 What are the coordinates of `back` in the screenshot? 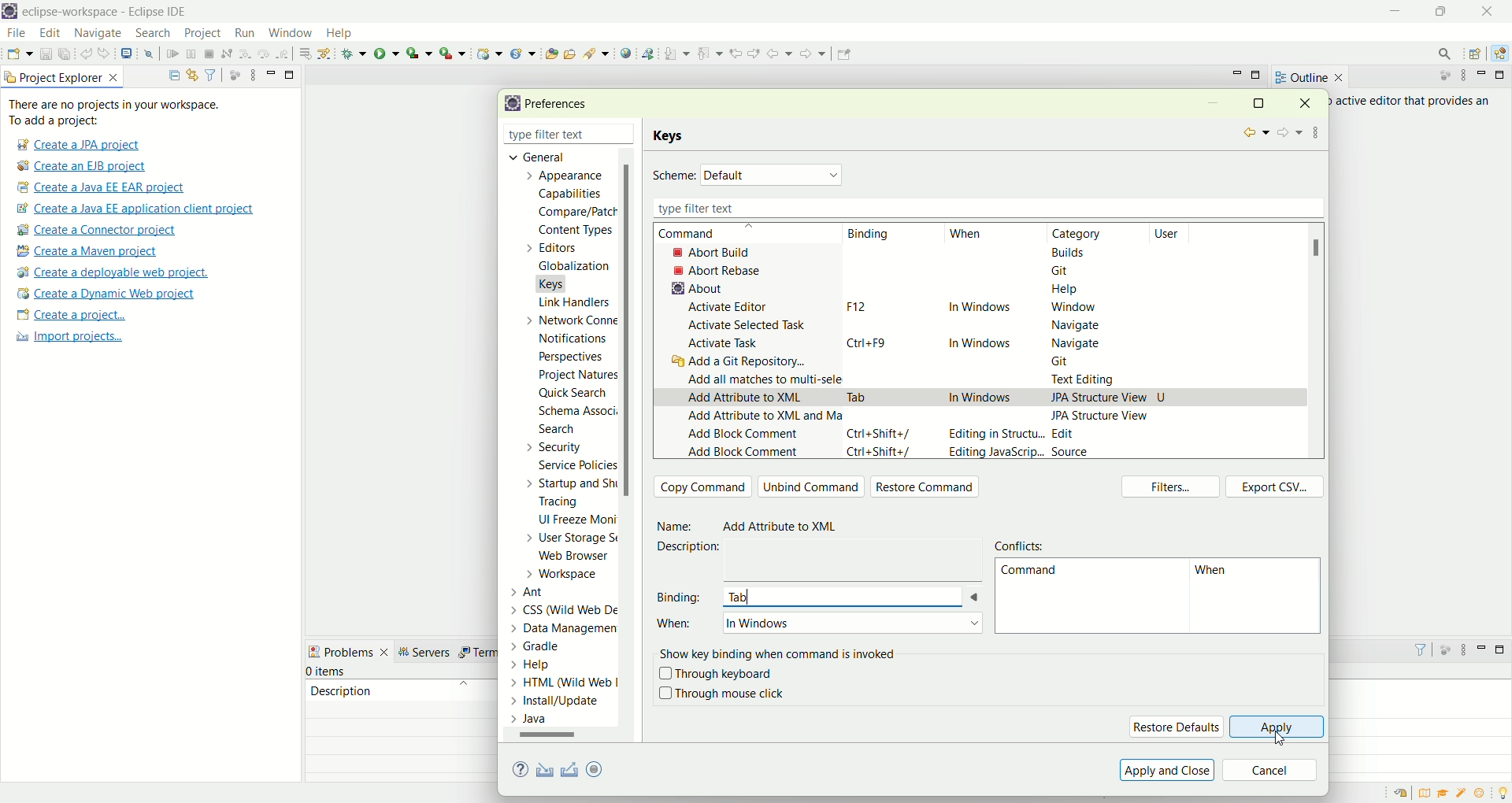 It's located at (783, 53).